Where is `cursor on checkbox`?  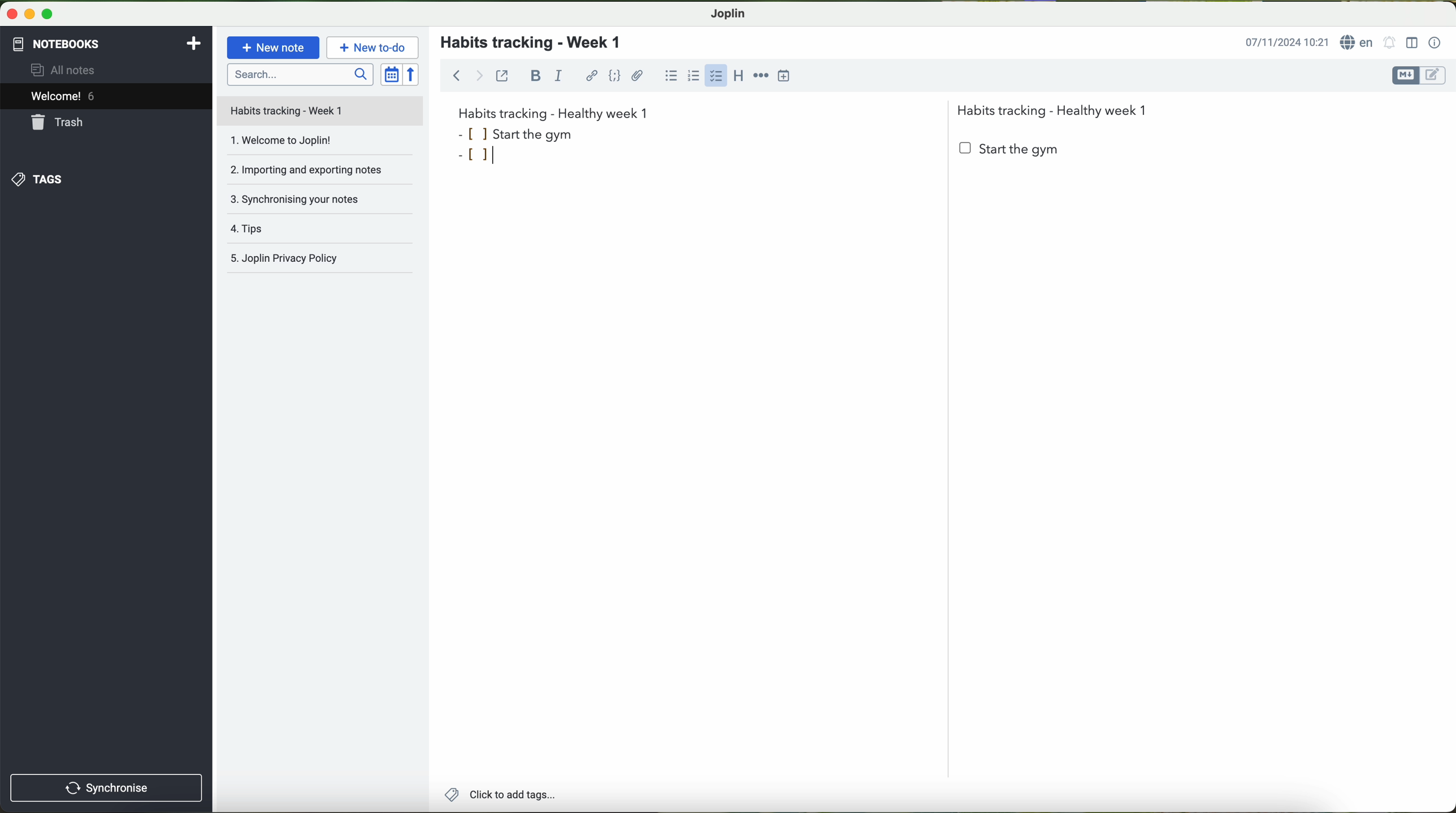 cursor on checkbox is located at coordinates (717, 79).